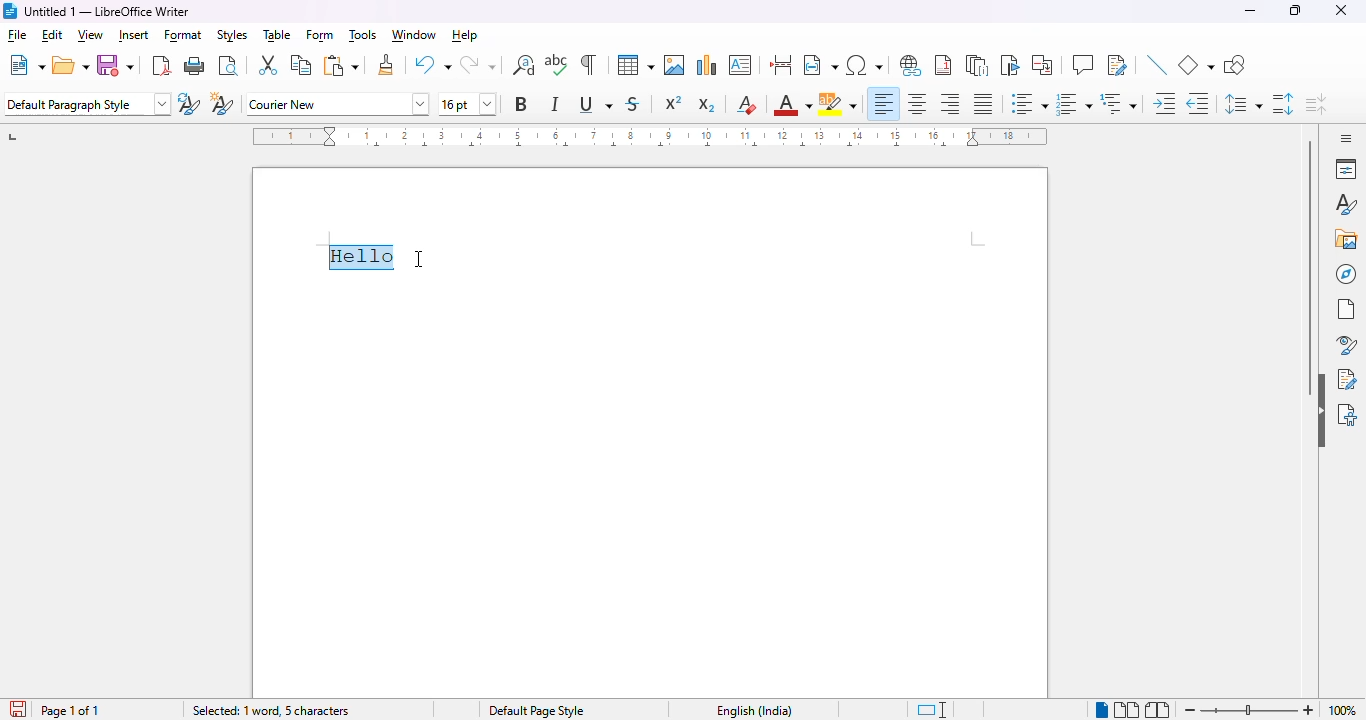  What do you see at coordinates (190, 104) in the screenshot?
I see `update selected style` at bounding box center [190, 104].